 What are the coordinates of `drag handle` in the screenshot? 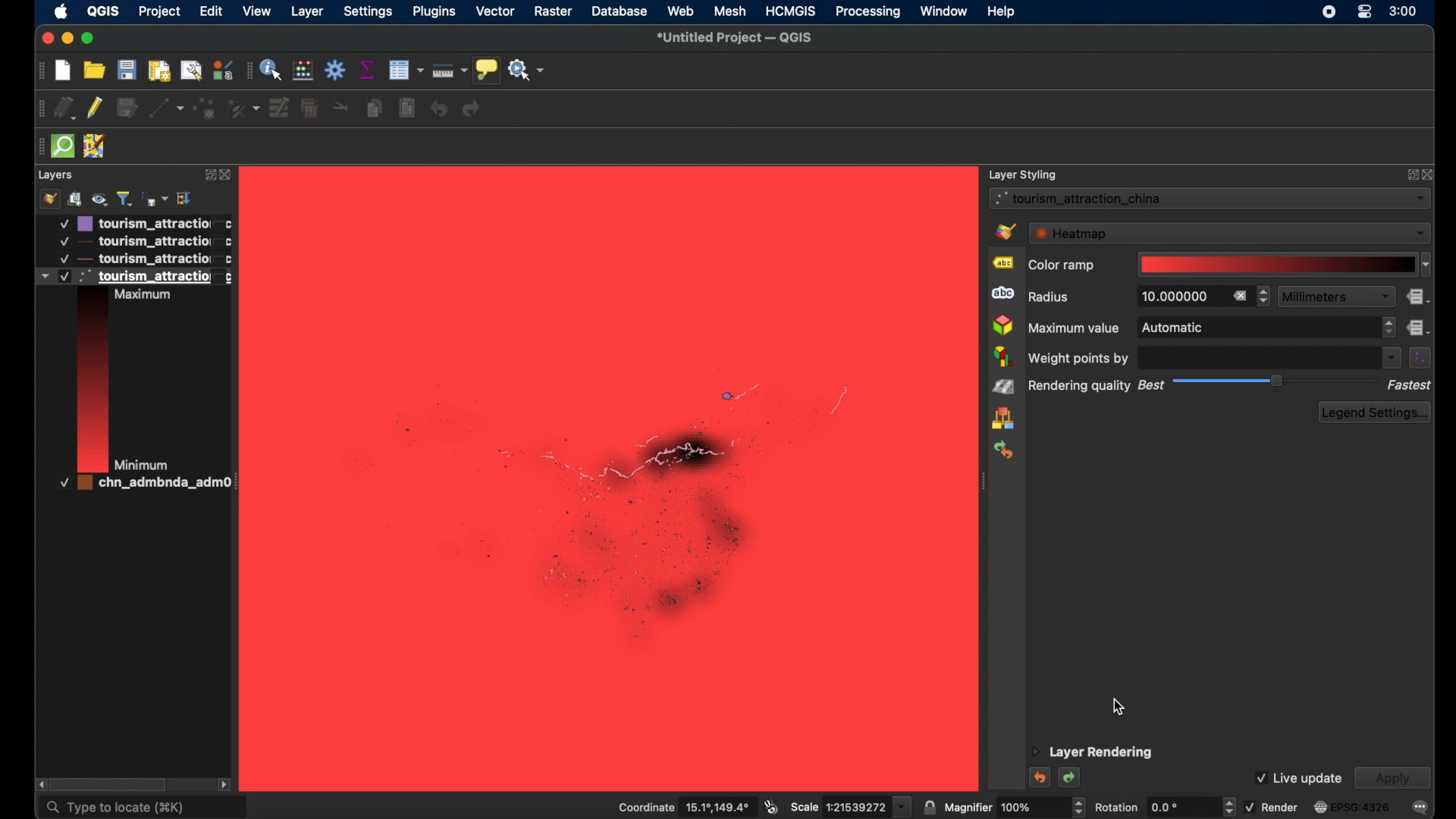 It's located at (36, 146).